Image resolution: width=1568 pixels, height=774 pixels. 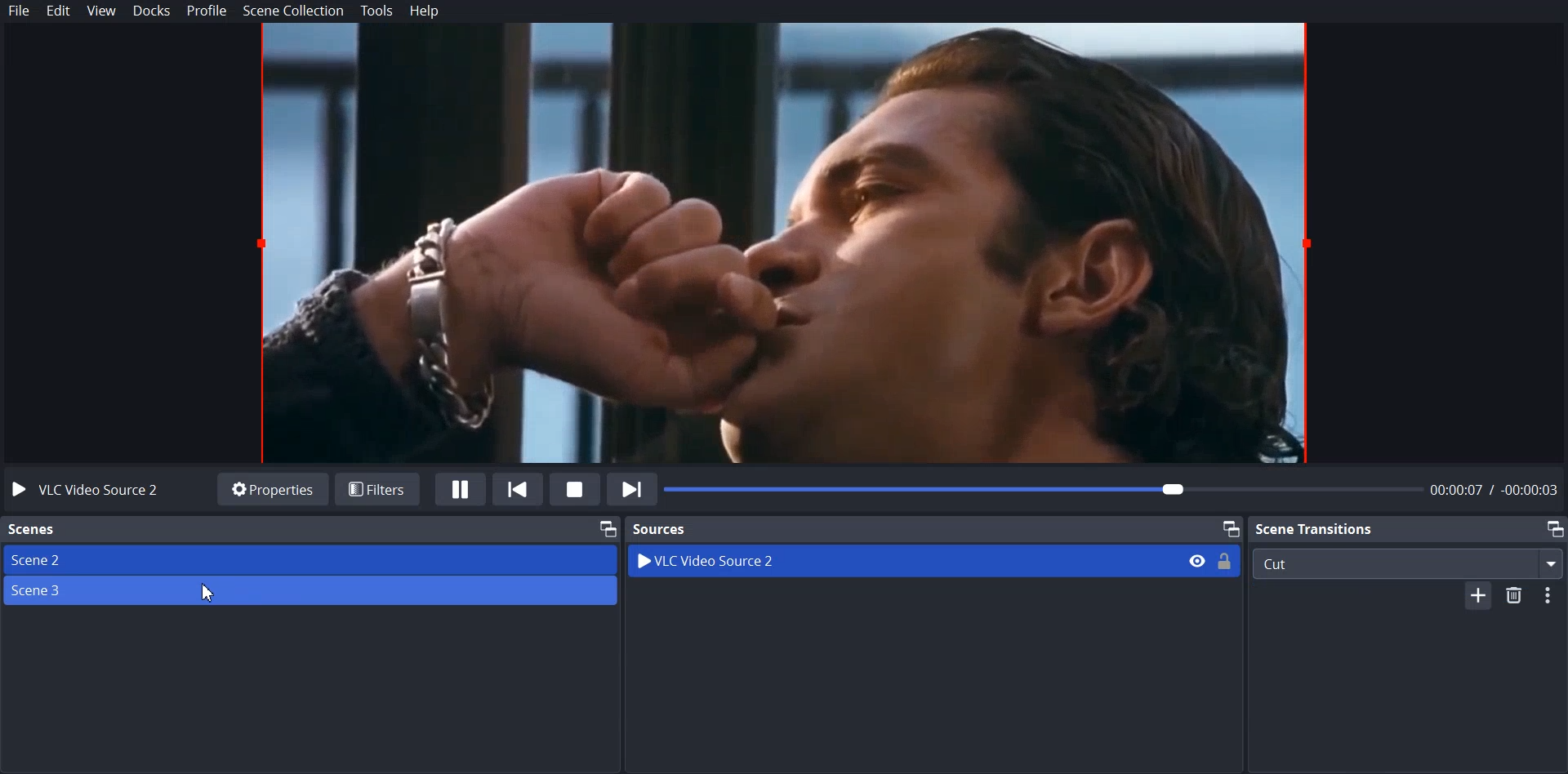 I want to click on Previously Playlist, so click(x=519, y=488).